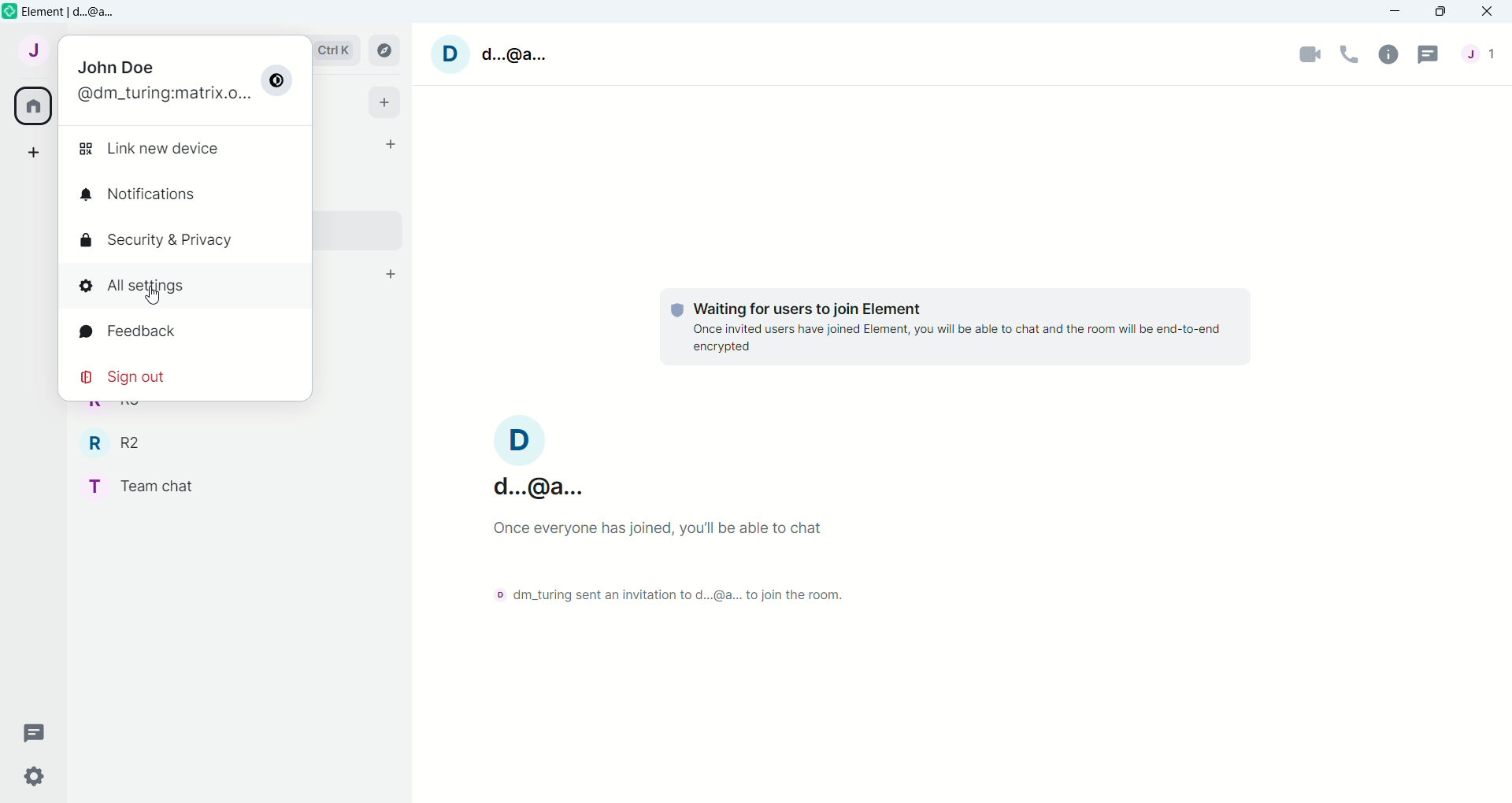 The height and width of the screenshot is (803, 1512). Describe the element at coordinates (391, 140) in the screenshot. I see `Start chat` at that location.